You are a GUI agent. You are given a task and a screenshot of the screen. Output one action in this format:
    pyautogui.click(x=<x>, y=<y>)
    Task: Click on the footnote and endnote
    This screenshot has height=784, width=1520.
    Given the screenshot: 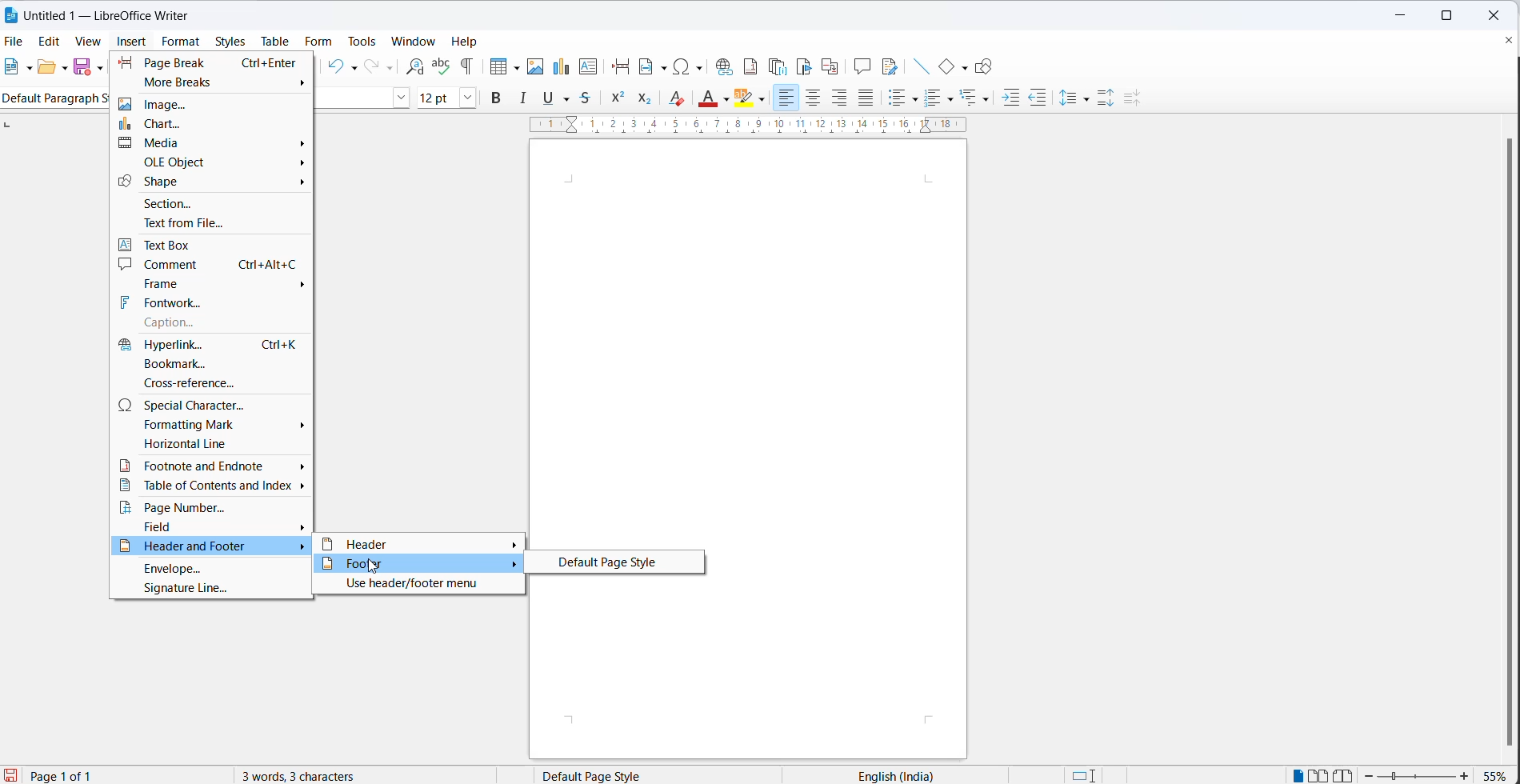 What is the action you would take?
    pyautogui.click(x=214, y=466)
    